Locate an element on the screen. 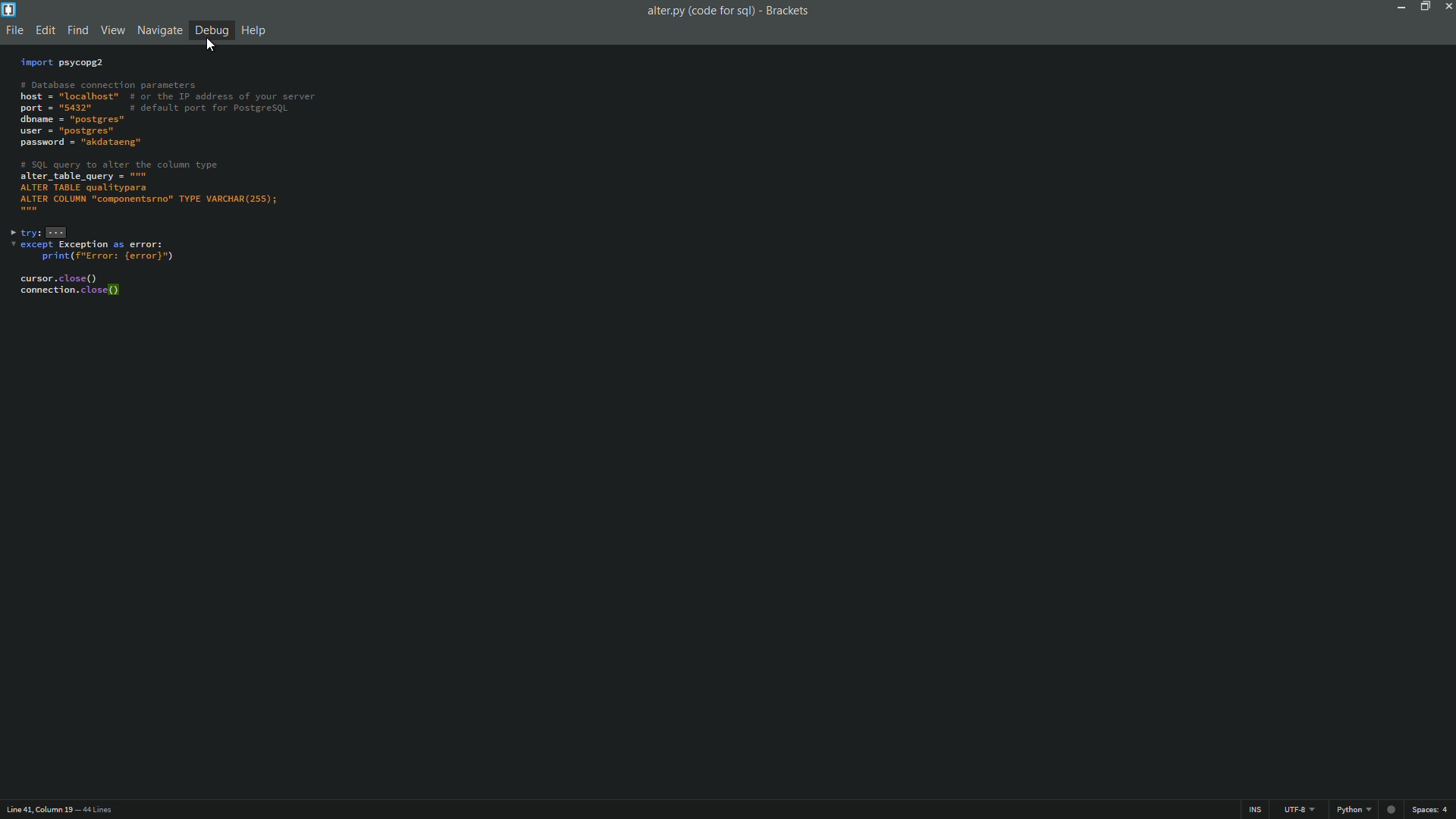  app icon is located at coordinates (9, 9).